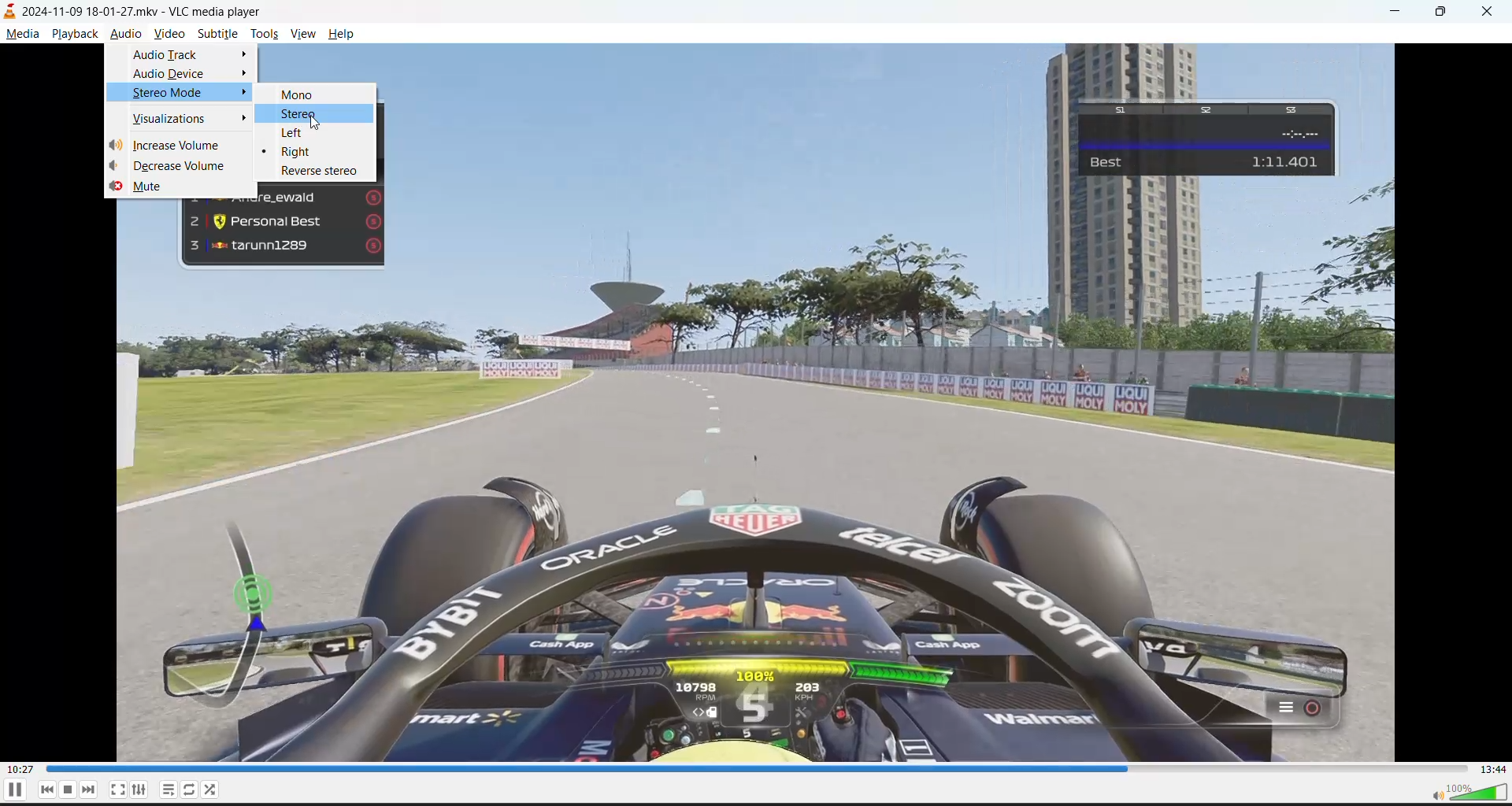 Image resolution: width=1512 pixels, height=806 pixels. Describe the element at coordinates (174, 75) in the screenshot. I see `audio device` at that location.